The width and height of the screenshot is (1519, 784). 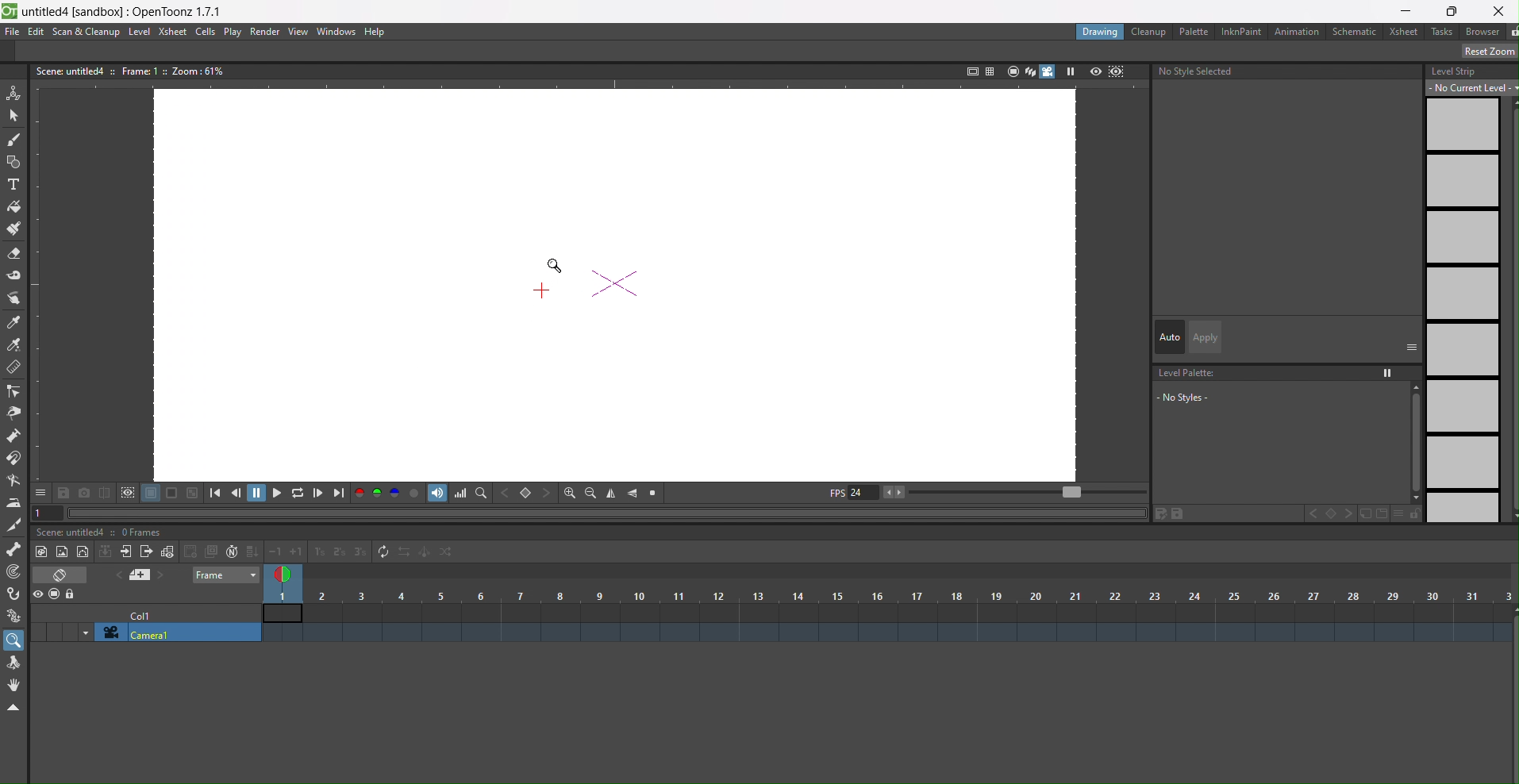 I want to click on icons, so click(x=996, y=71).